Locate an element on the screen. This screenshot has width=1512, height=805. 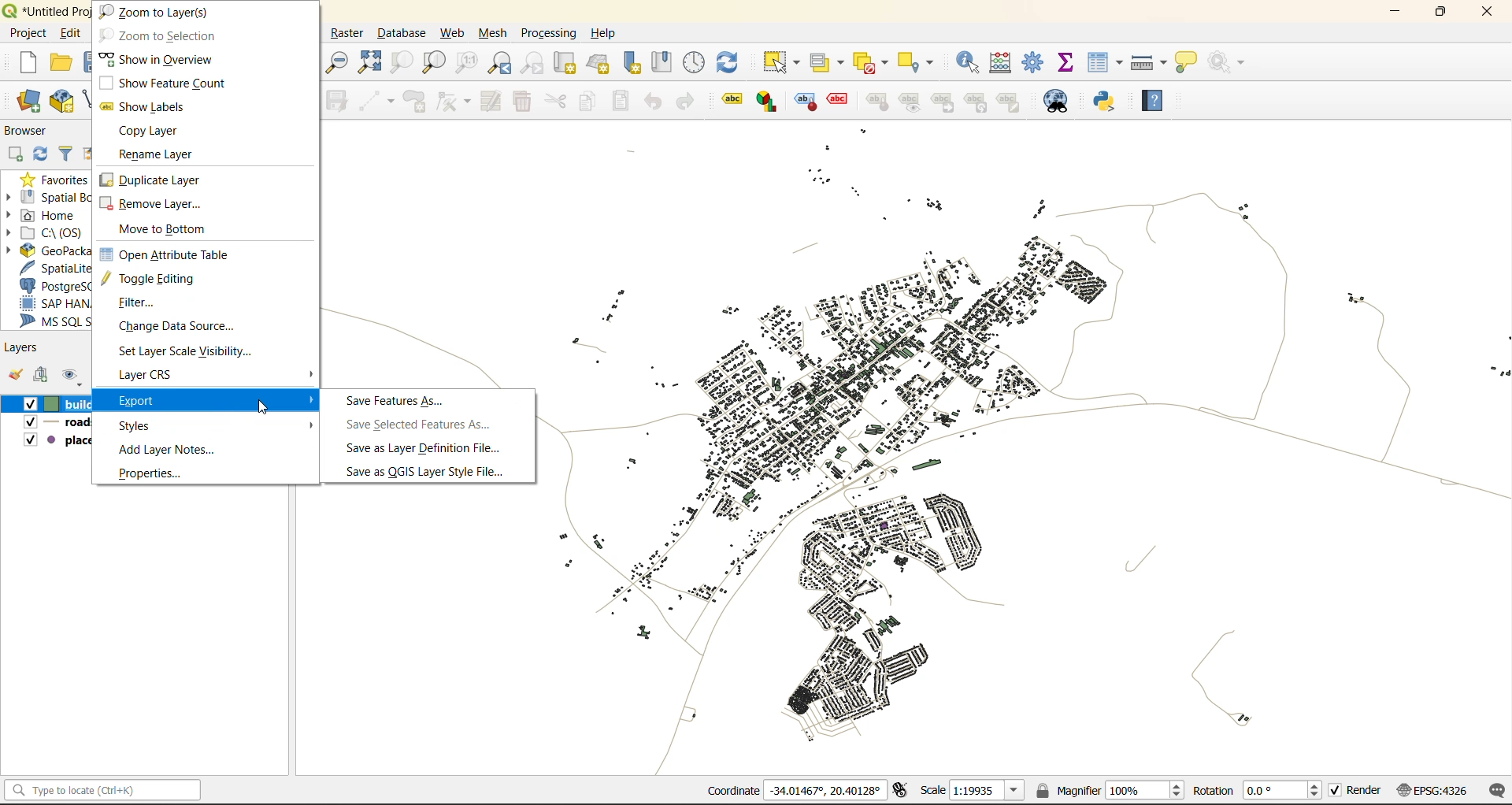
manage map is located at coordinates (69, 377).